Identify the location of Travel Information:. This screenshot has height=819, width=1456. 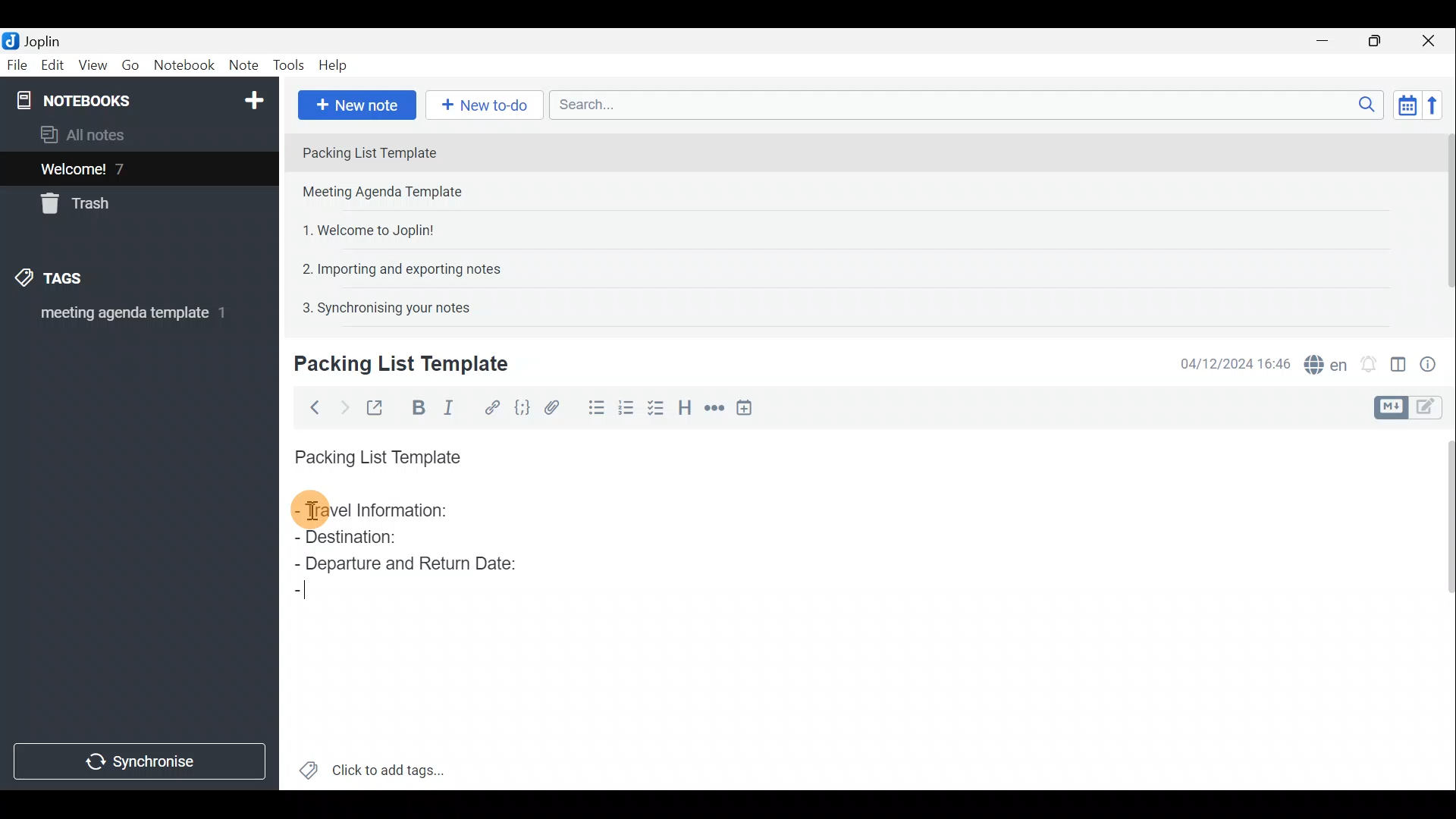
(384, 512).